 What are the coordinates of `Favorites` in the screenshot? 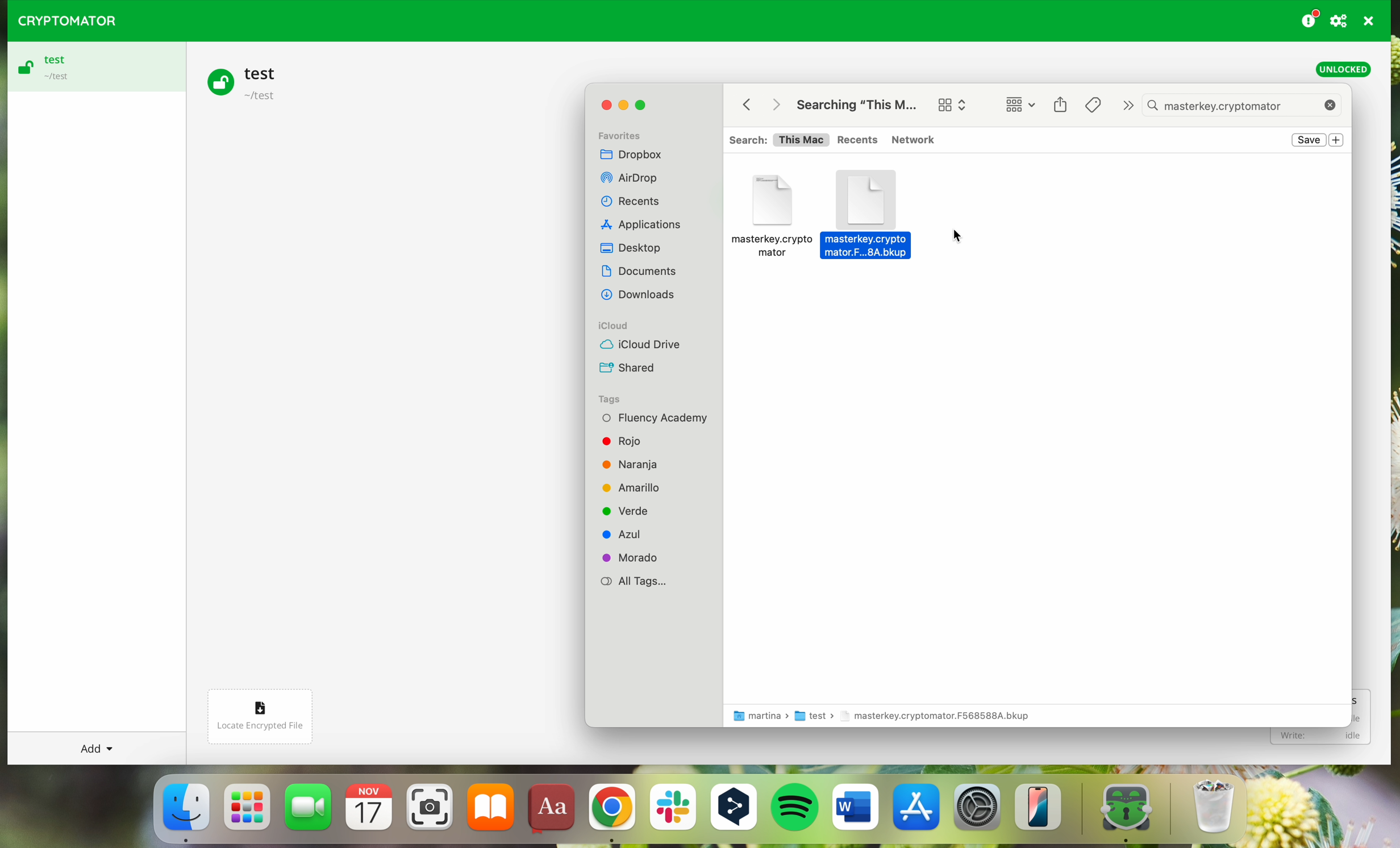 It's located at (628, 132).